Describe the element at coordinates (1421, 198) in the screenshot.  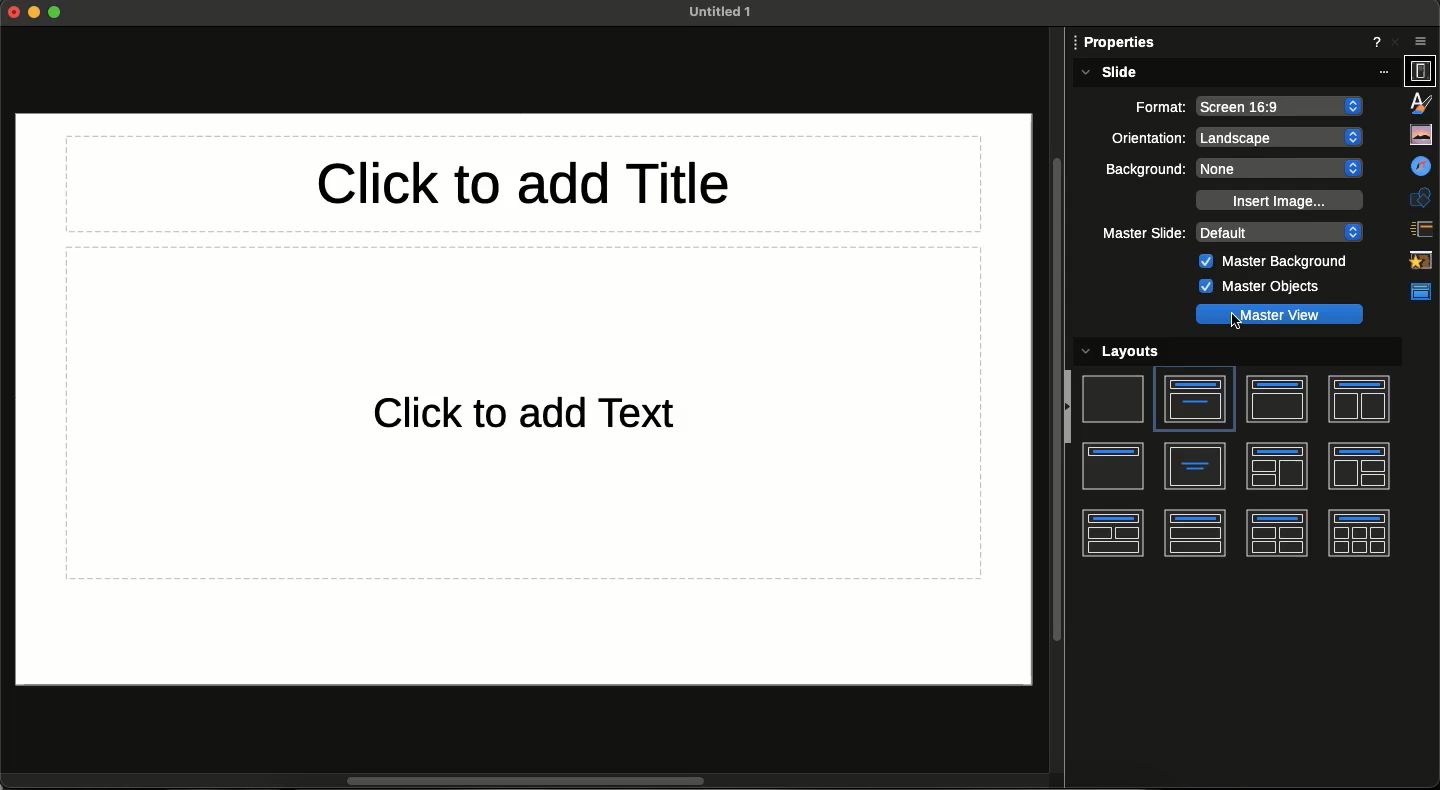
I see `Shapes` at that location.